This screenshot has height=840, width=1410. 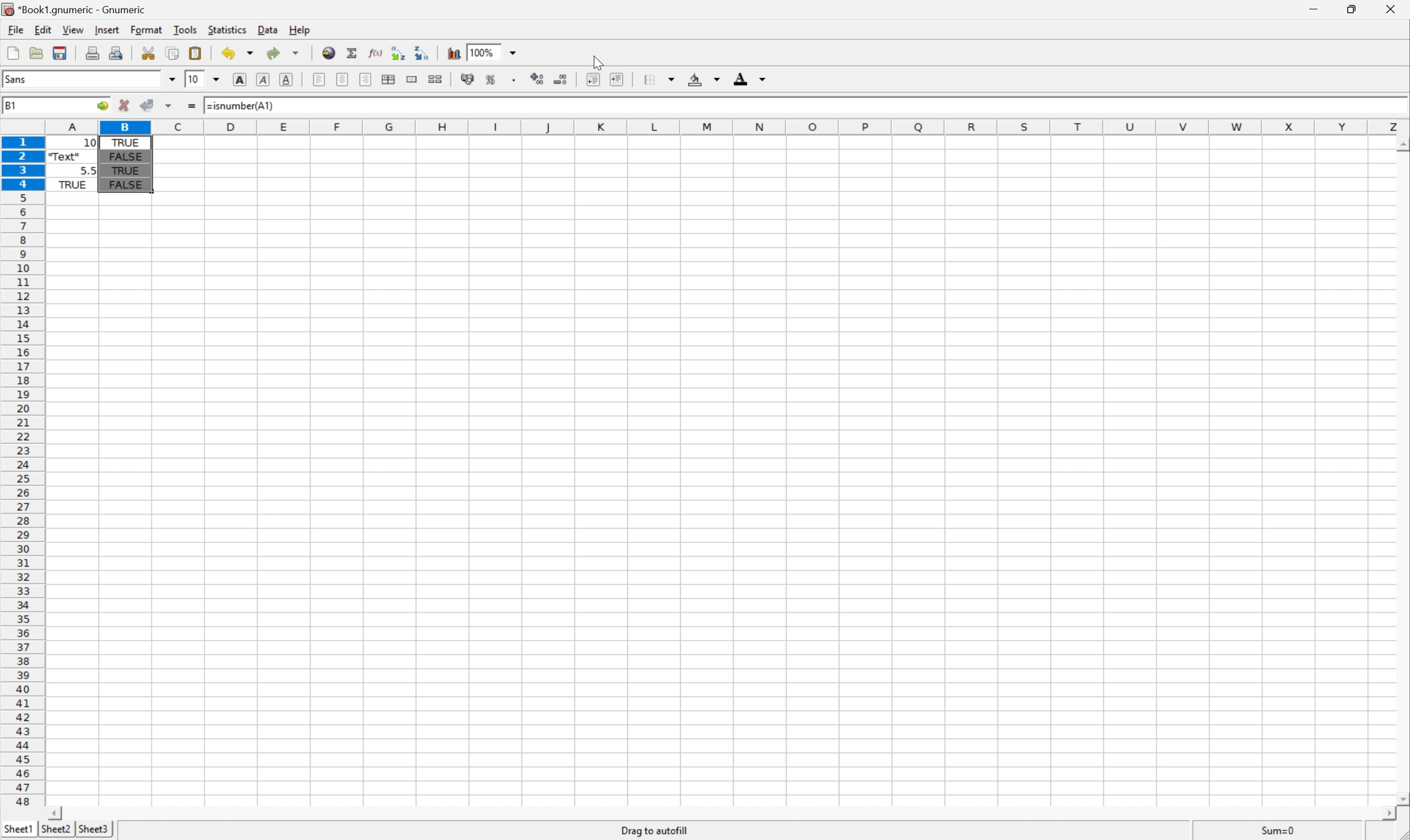 I want to click on Print preview, so click(x=117, y=52).